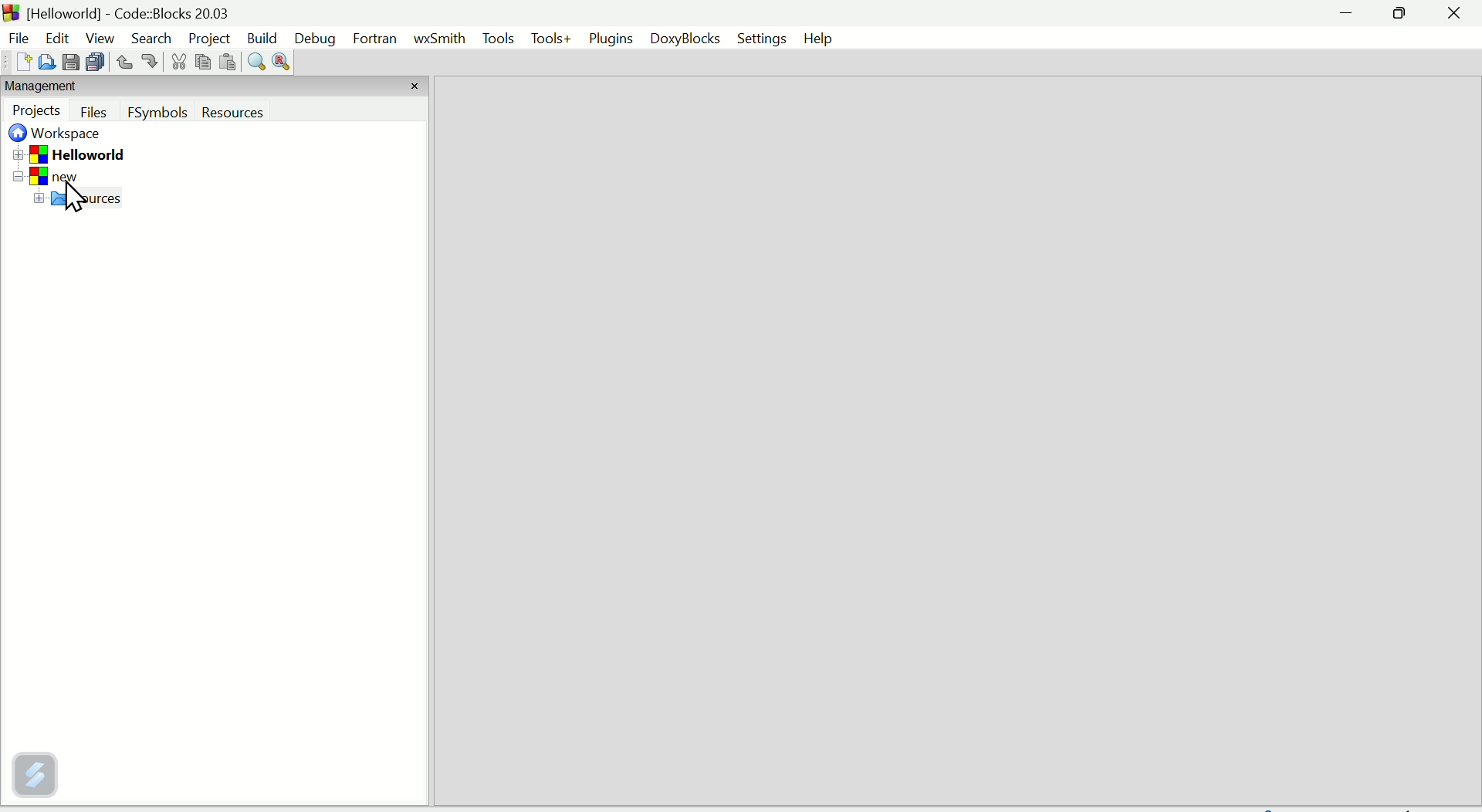  I want to click on Plugins, so click(611, 40).